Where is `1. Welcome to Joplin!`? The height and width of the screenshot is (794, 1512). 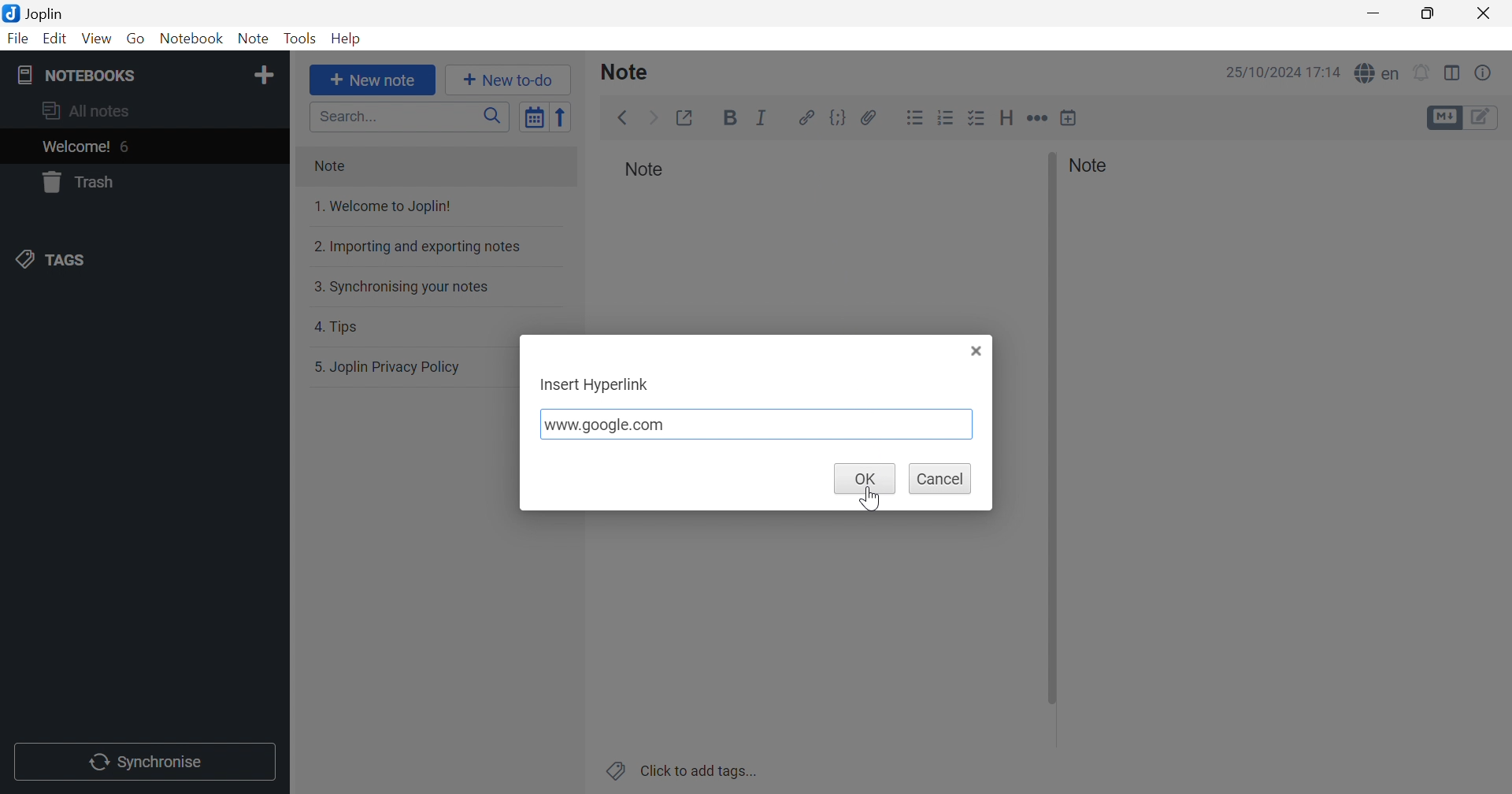 1. Welcome to Joplin! is located at coordinates (427, 208).